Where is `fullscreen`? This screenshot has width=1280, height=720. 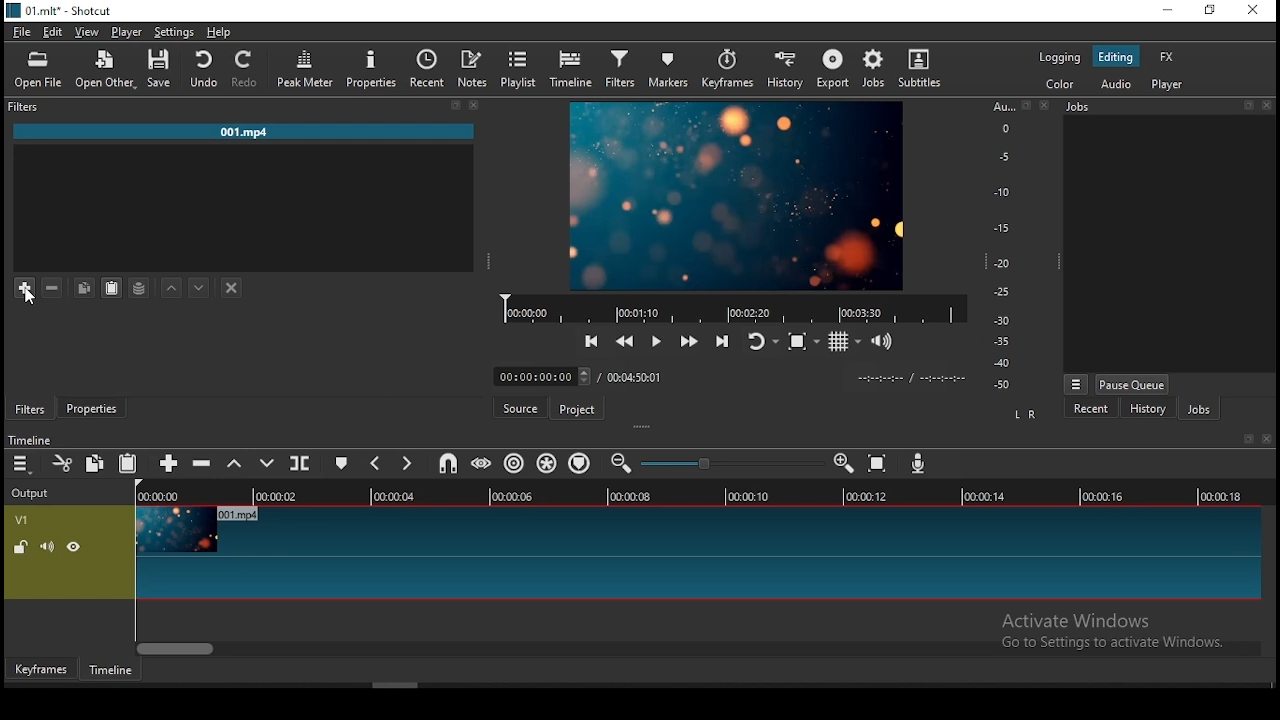
fullscreen is located at coordinates (453, 107).